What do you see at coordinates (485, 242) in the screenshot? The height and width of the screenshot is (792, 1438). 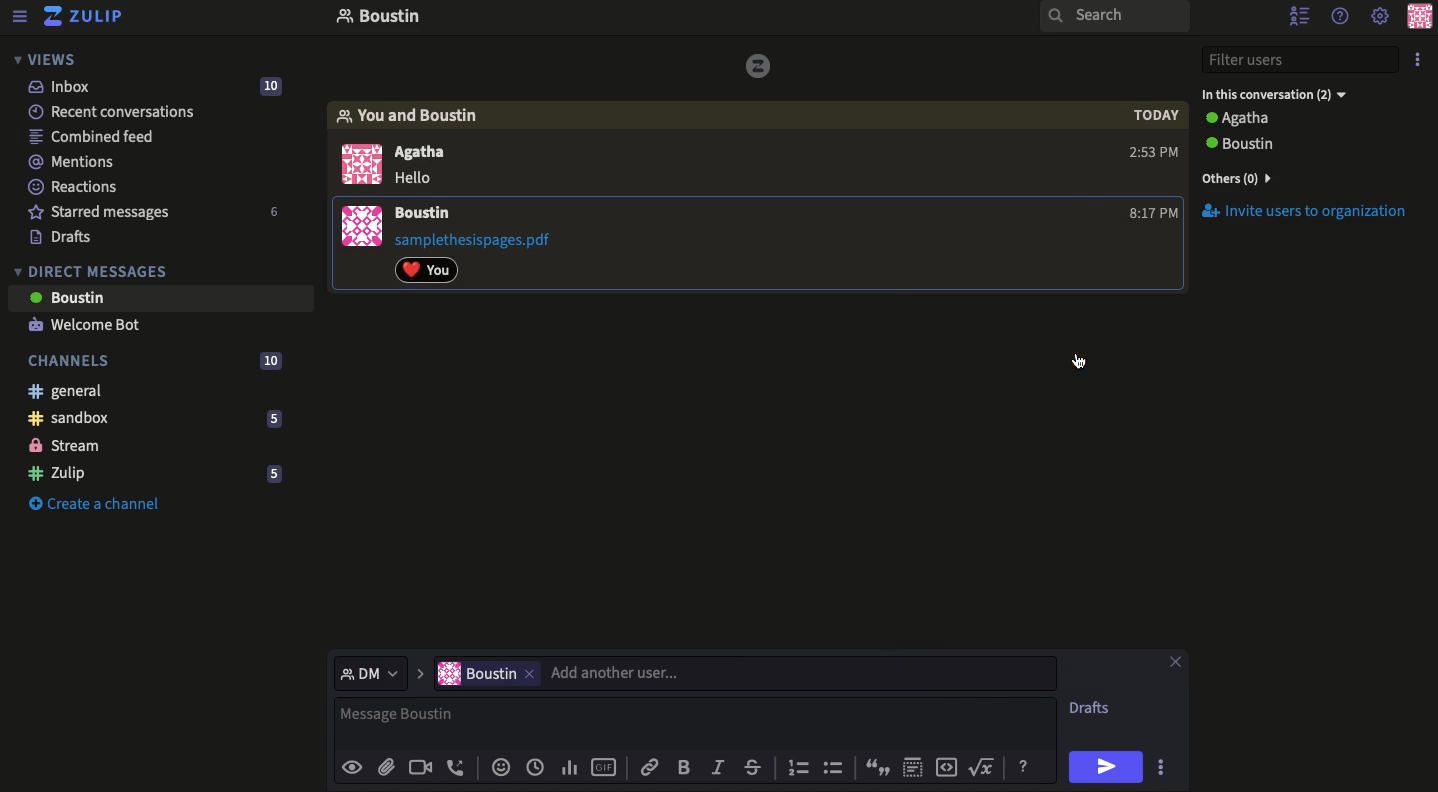 I see `File attachment` at bounding box center [485, 242].